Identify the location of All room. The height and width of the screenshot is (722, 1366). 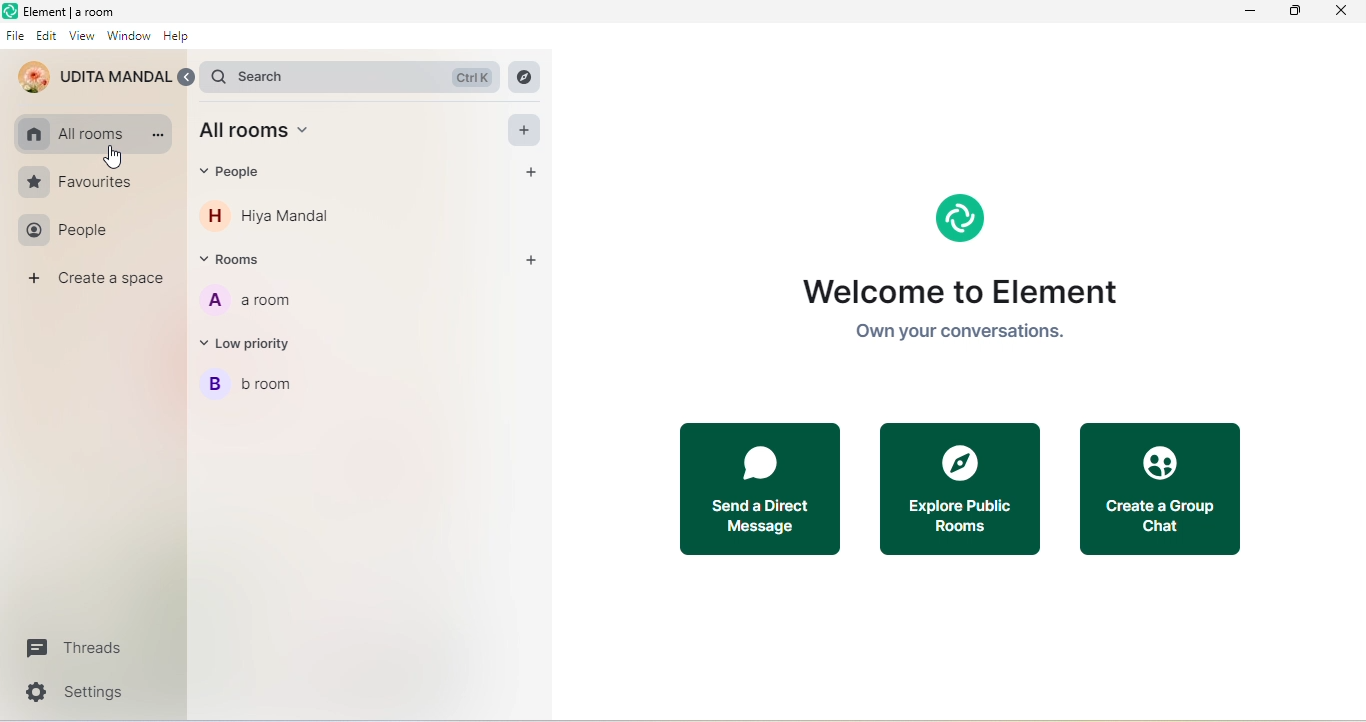
(70, 129).